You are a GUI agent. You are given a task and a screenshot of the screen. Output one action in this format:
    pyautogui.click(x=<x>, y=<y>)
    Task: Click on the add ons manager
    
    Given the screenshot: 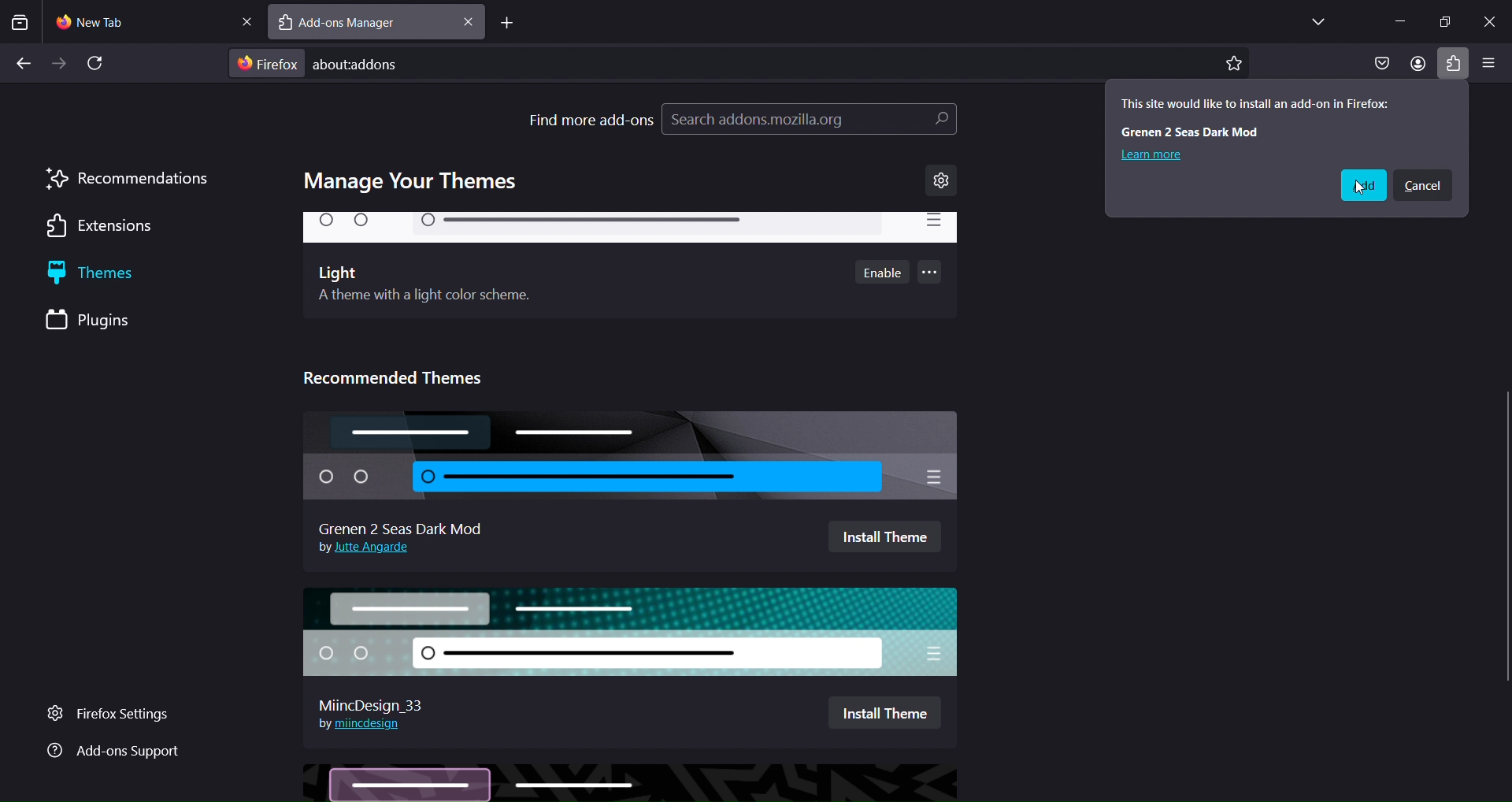 What is the action you would take?
    pyautogui.click(x=354, y=24)
    